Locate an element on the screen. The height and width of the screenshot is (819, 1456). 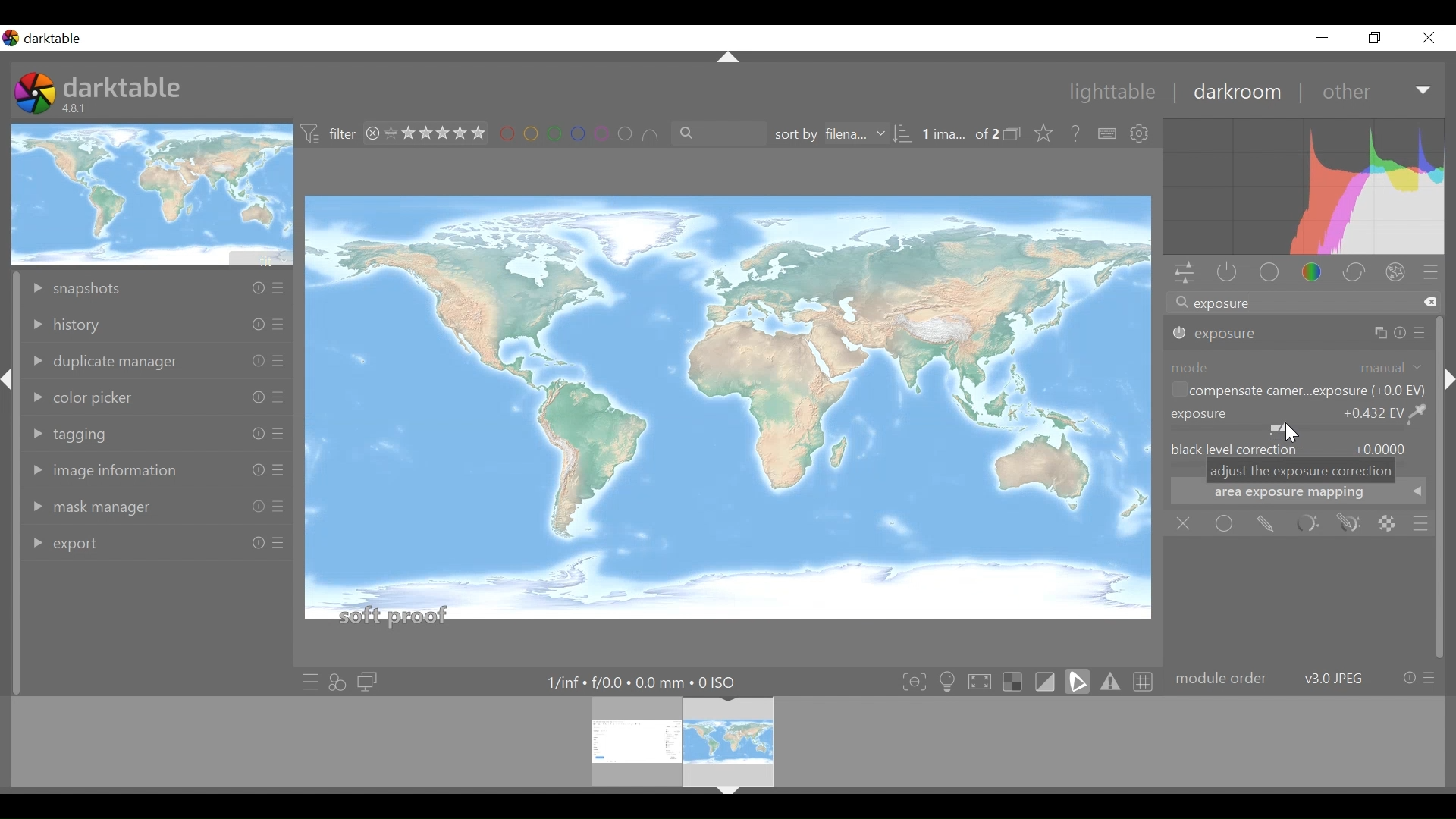
Darktable Desktop Icon is located at coordinates (36, 95).